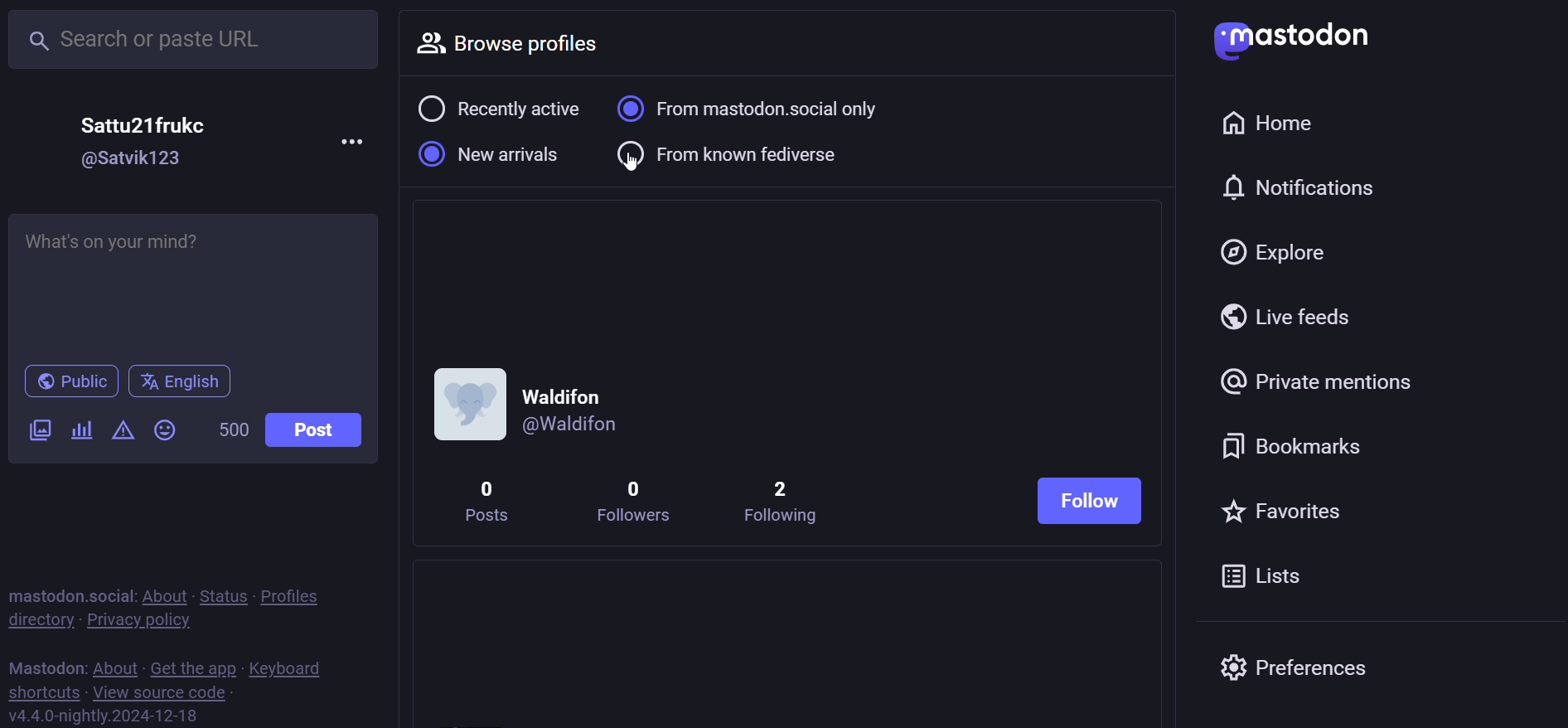 This screenshot has width=1568, height=728. Describe the element at coordinates (123, 431) in the screenshot. I see `content warning` at that location.